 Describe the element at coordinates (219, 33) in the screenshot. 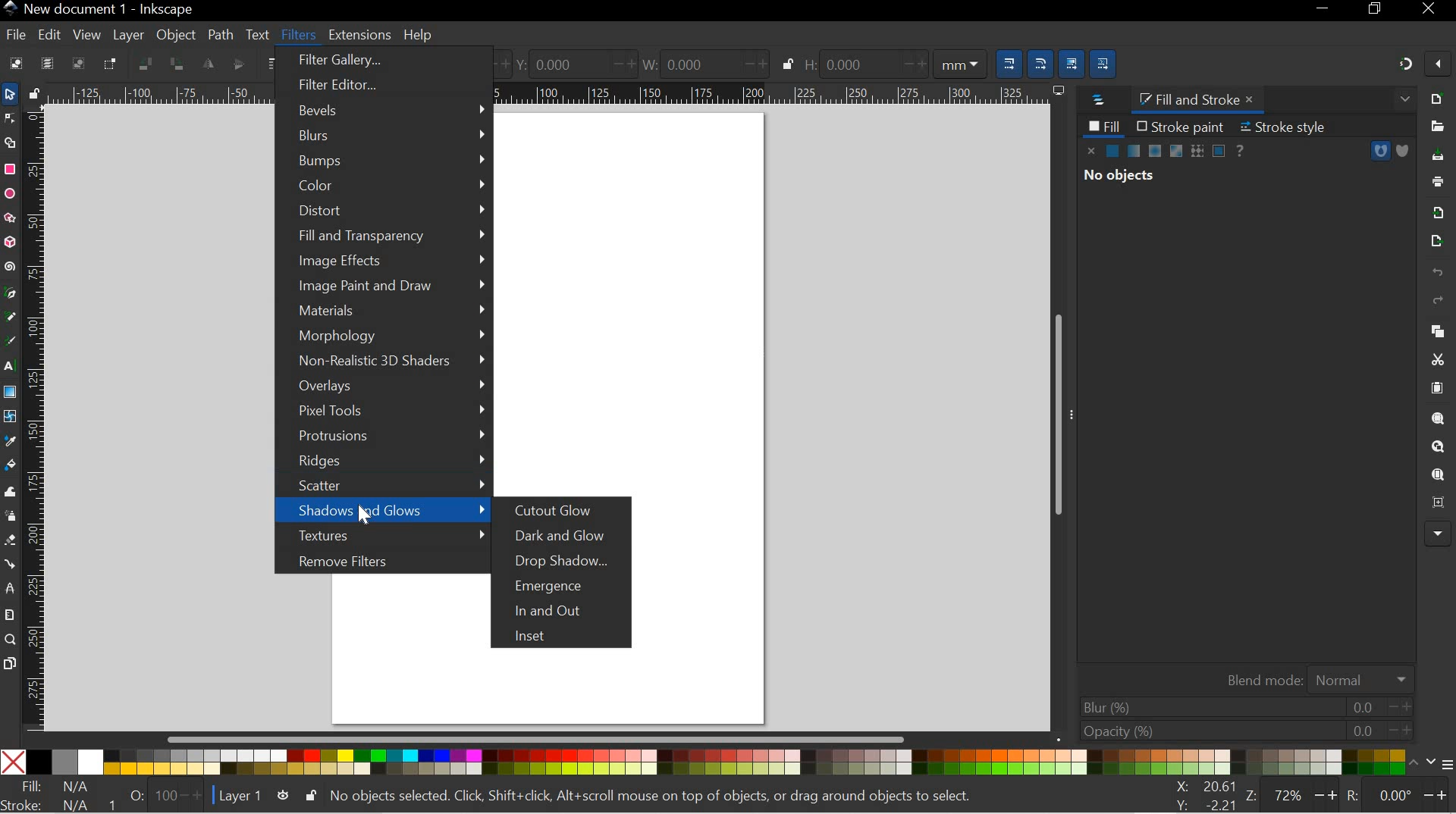

I see `PATH` at that location.